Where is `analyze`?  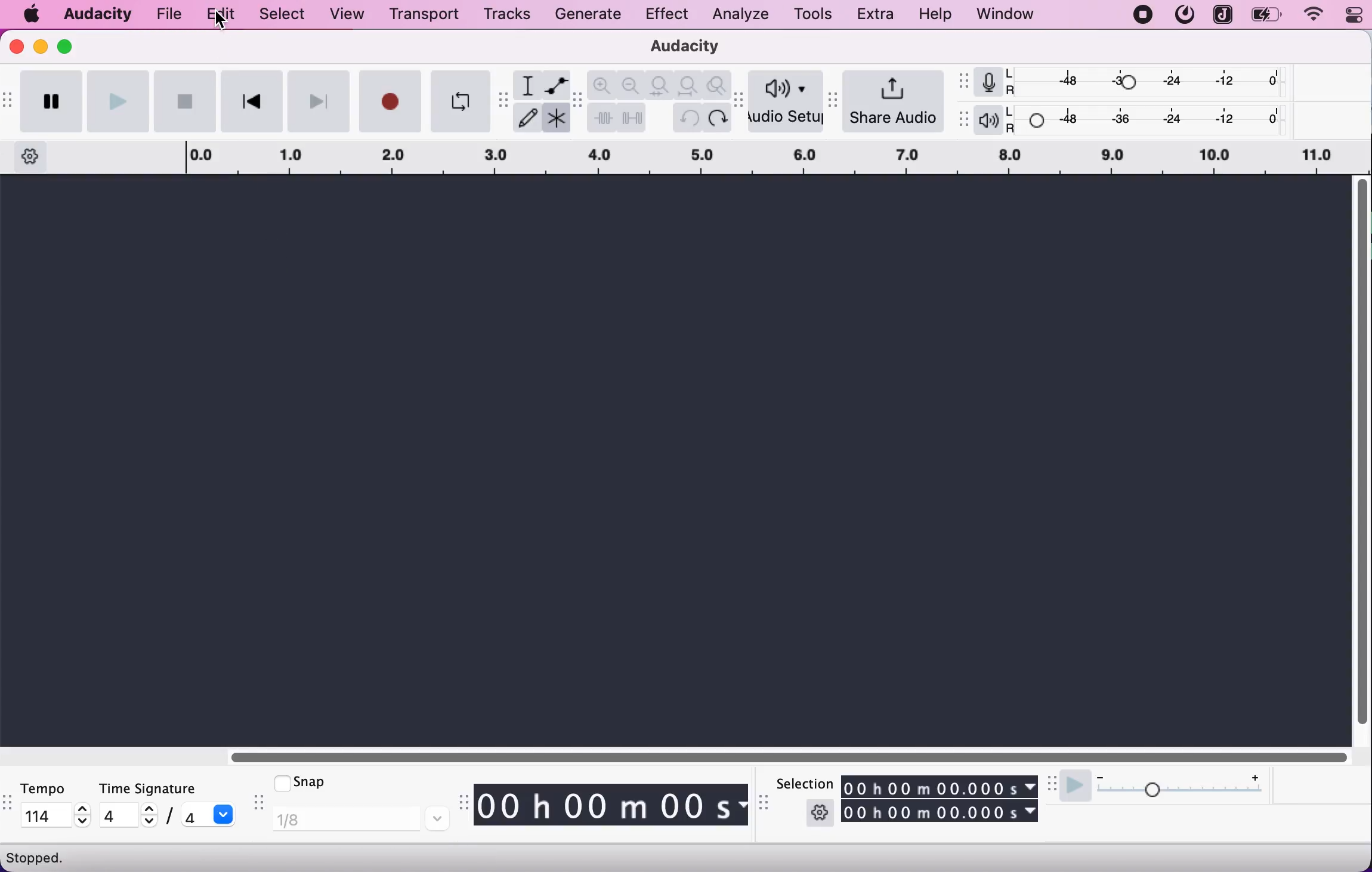 analyze is located at coordinates (737, 15).